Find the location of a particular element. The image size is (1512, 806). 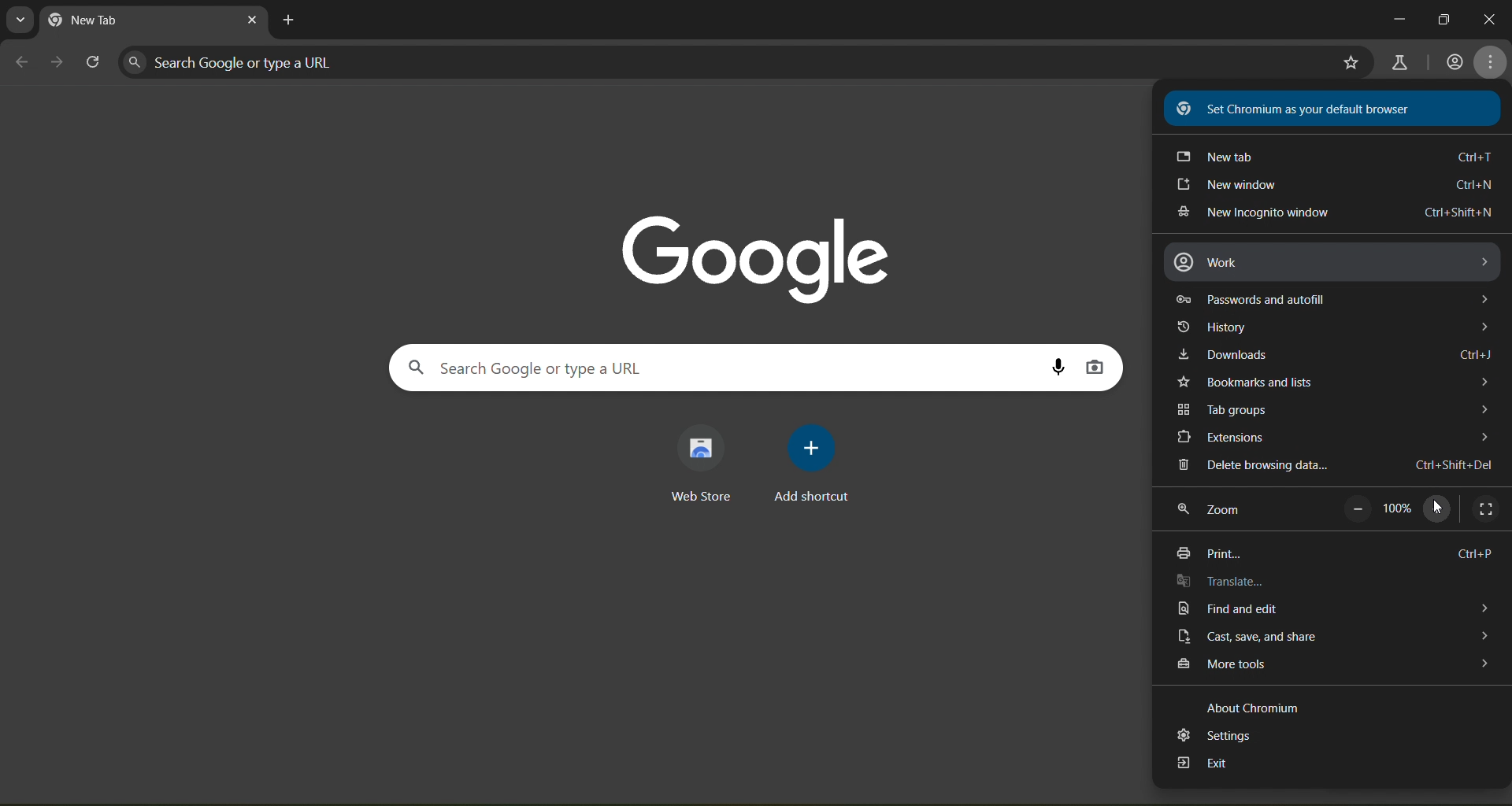

search labs is located at coordinates (1400, 61).